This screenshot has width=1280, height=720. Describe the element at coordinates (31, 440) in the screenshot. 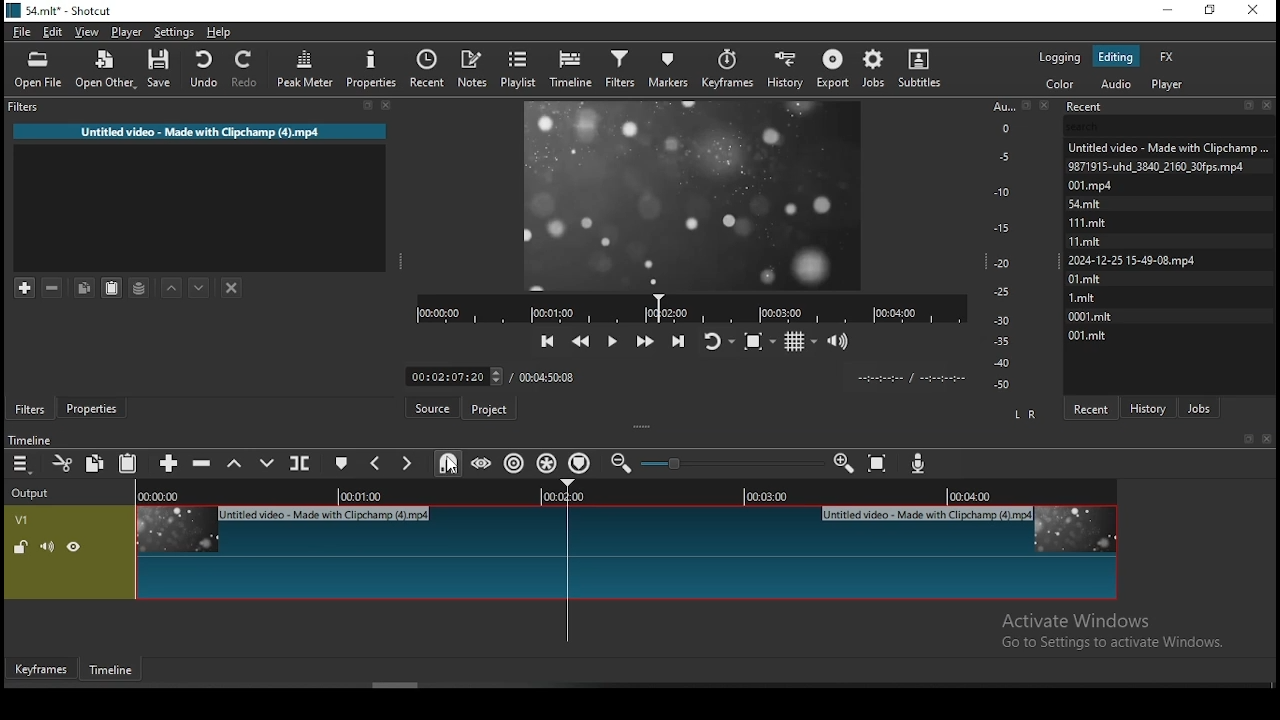

I see `timeline` at that location.